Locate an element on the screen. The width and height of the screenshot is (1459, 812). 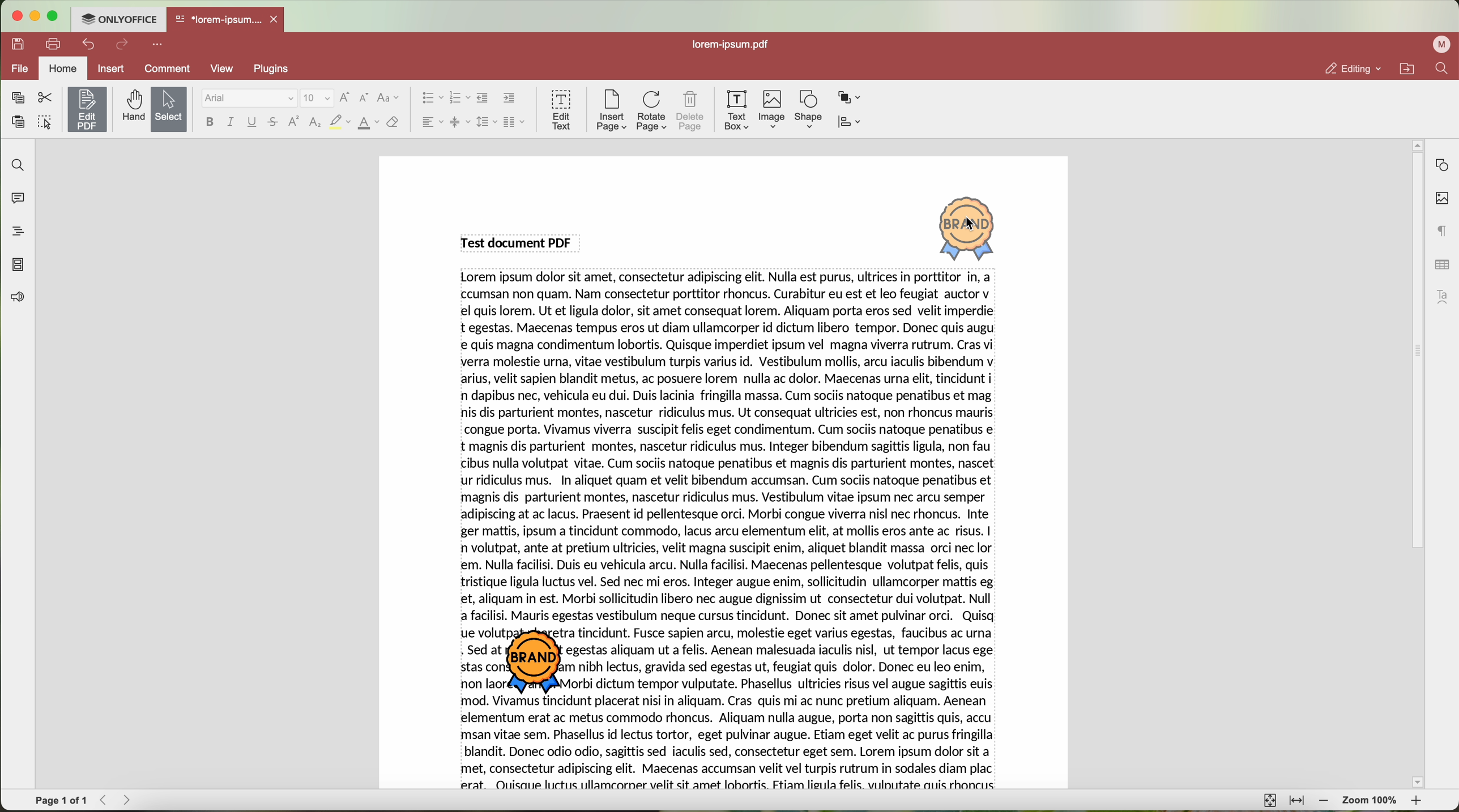
Image is located at coordinates (969, 227).